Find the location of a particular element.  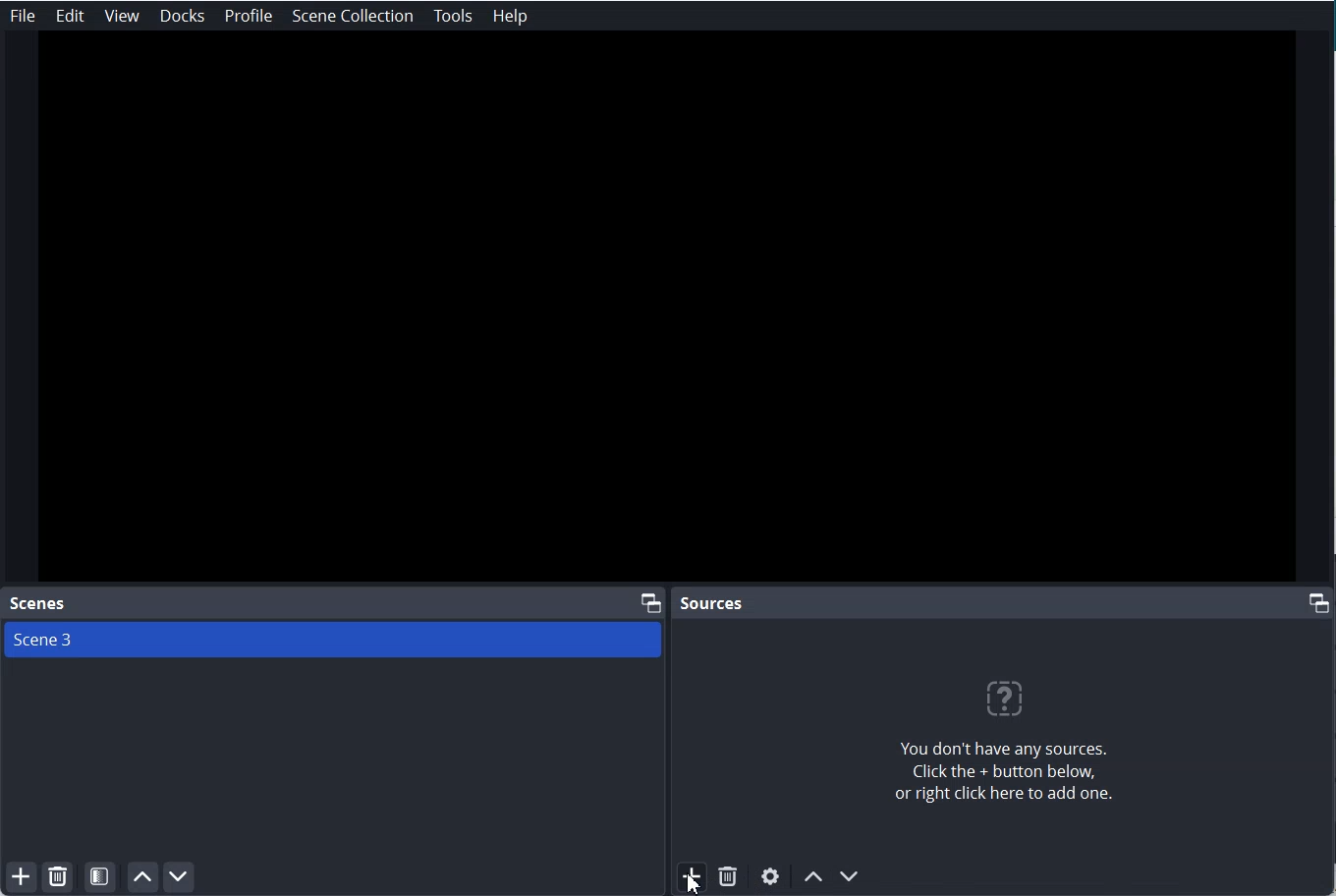

Sources is located at coordinates (710, 603).